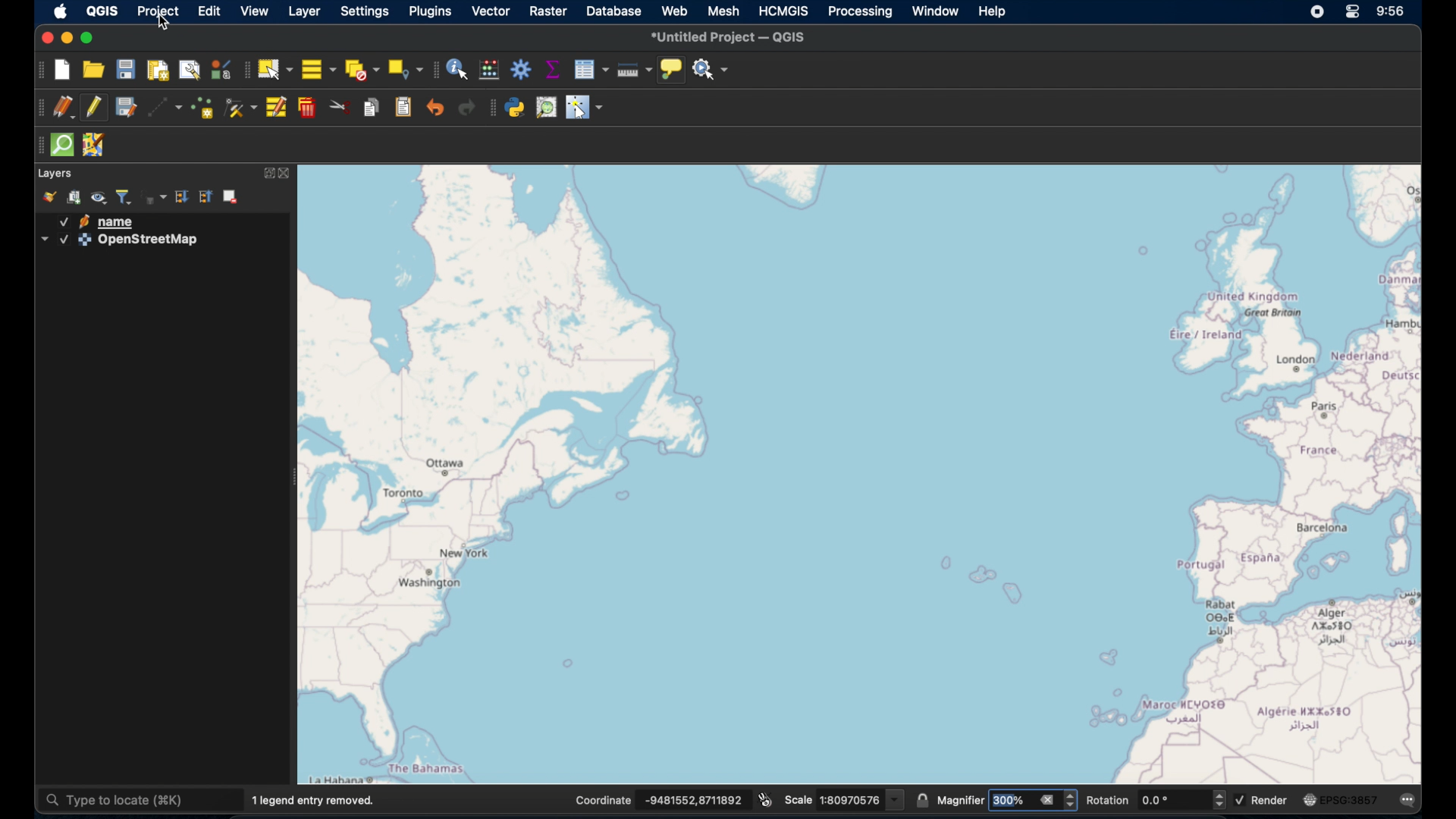 This screenshot has height=819, width=1456. I want to click on toggle extents and mouse display position, so click(767, 799).